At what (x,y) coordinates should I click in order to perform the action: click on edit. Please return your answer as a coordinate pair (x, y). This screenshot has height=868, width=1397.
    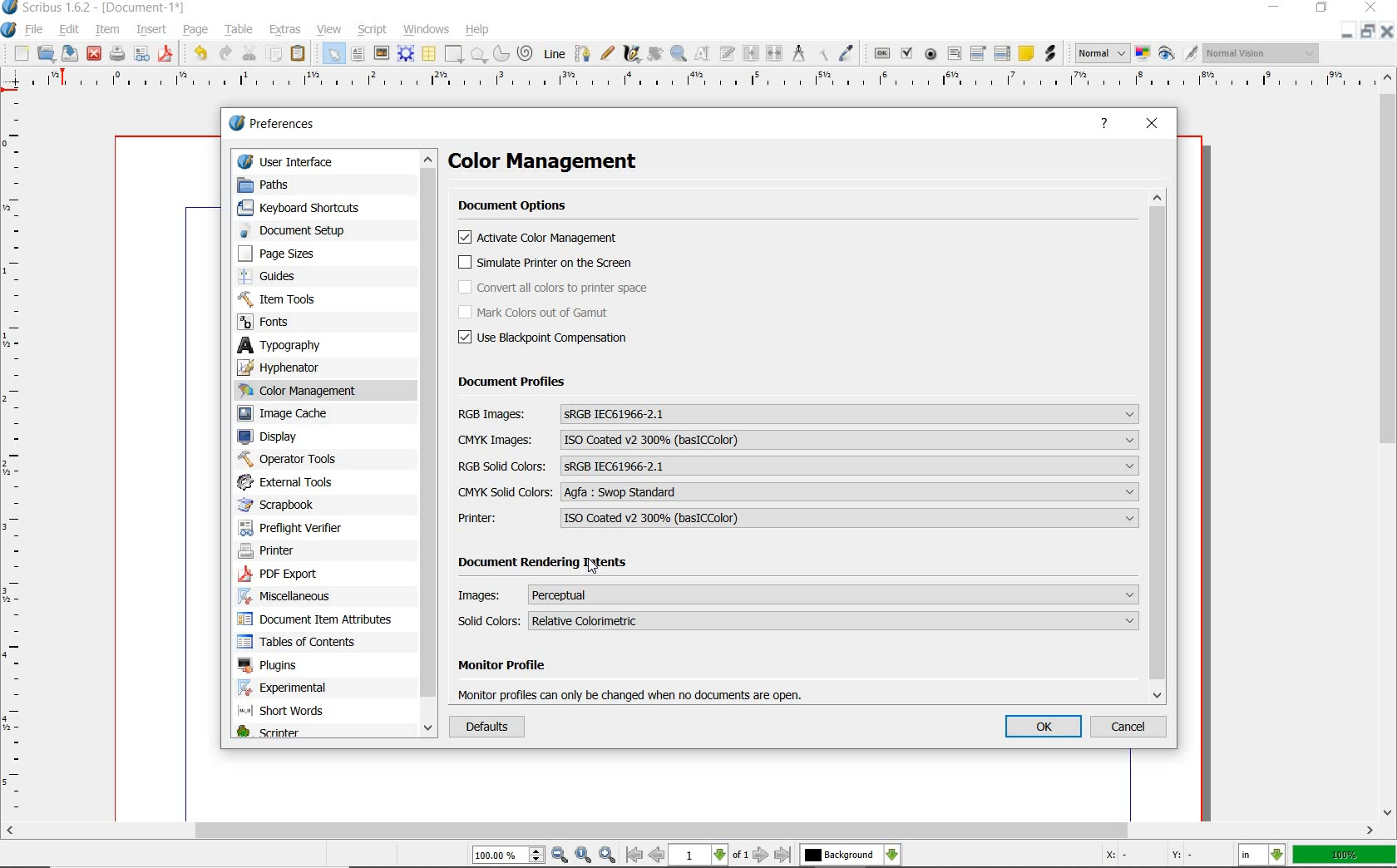
    Looking at the image, I should click on (71, 29).